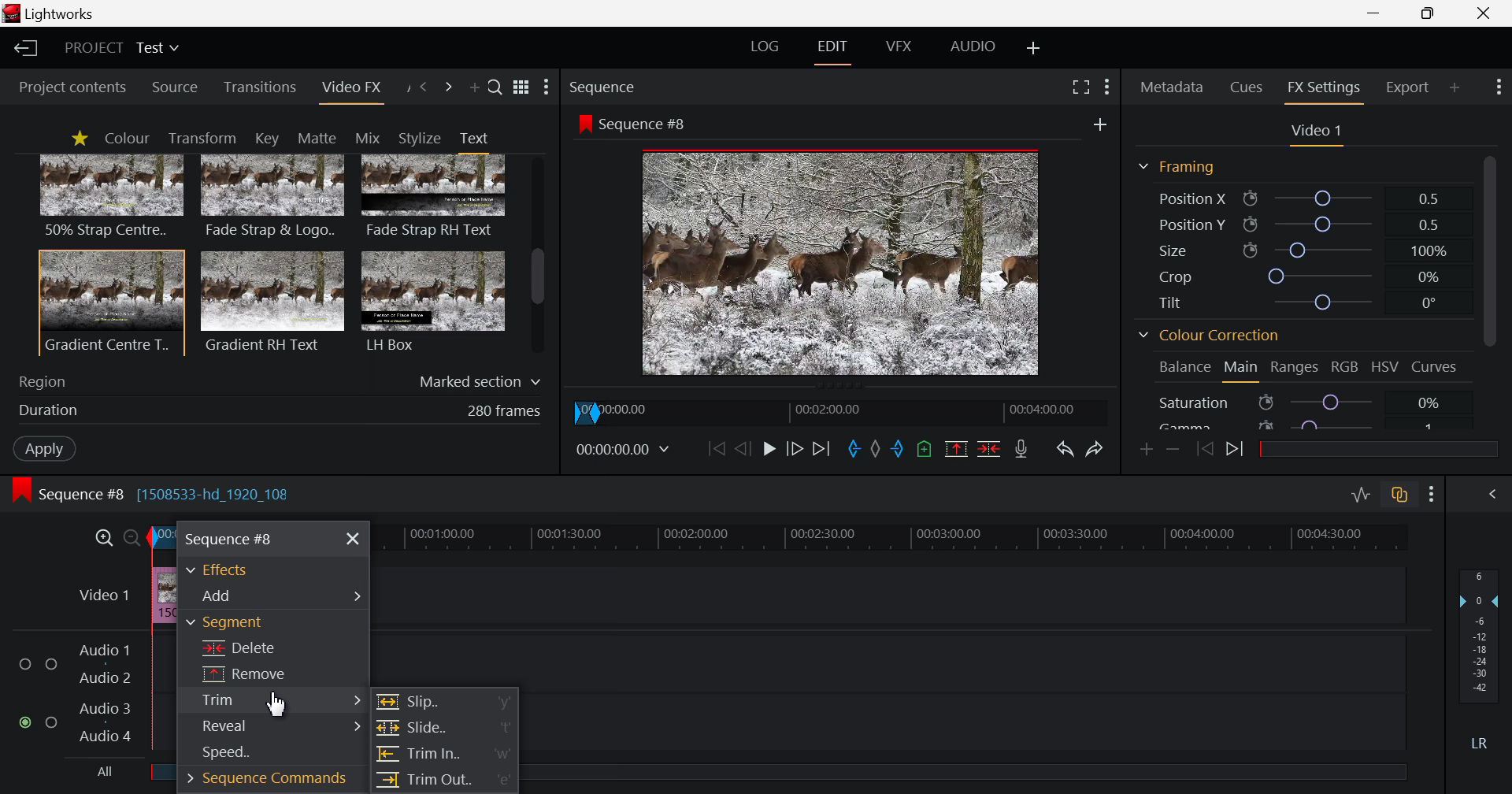 The image size is (1512, 794). I want to click on Lightworks, so click(57, 14).